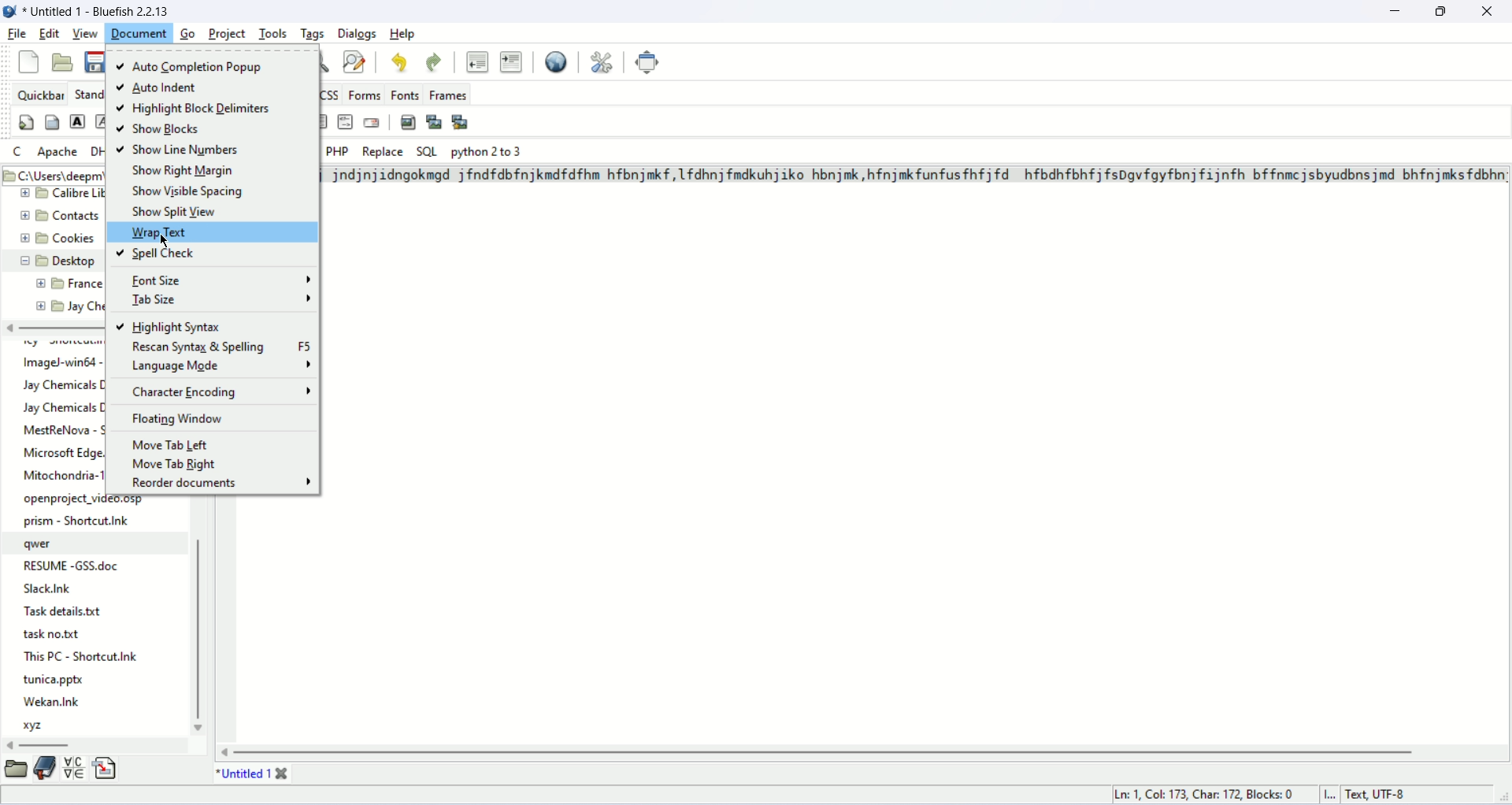 The width and height of the screenshot is (1512, 805). I want to click on bookmark, so click(44, 771).